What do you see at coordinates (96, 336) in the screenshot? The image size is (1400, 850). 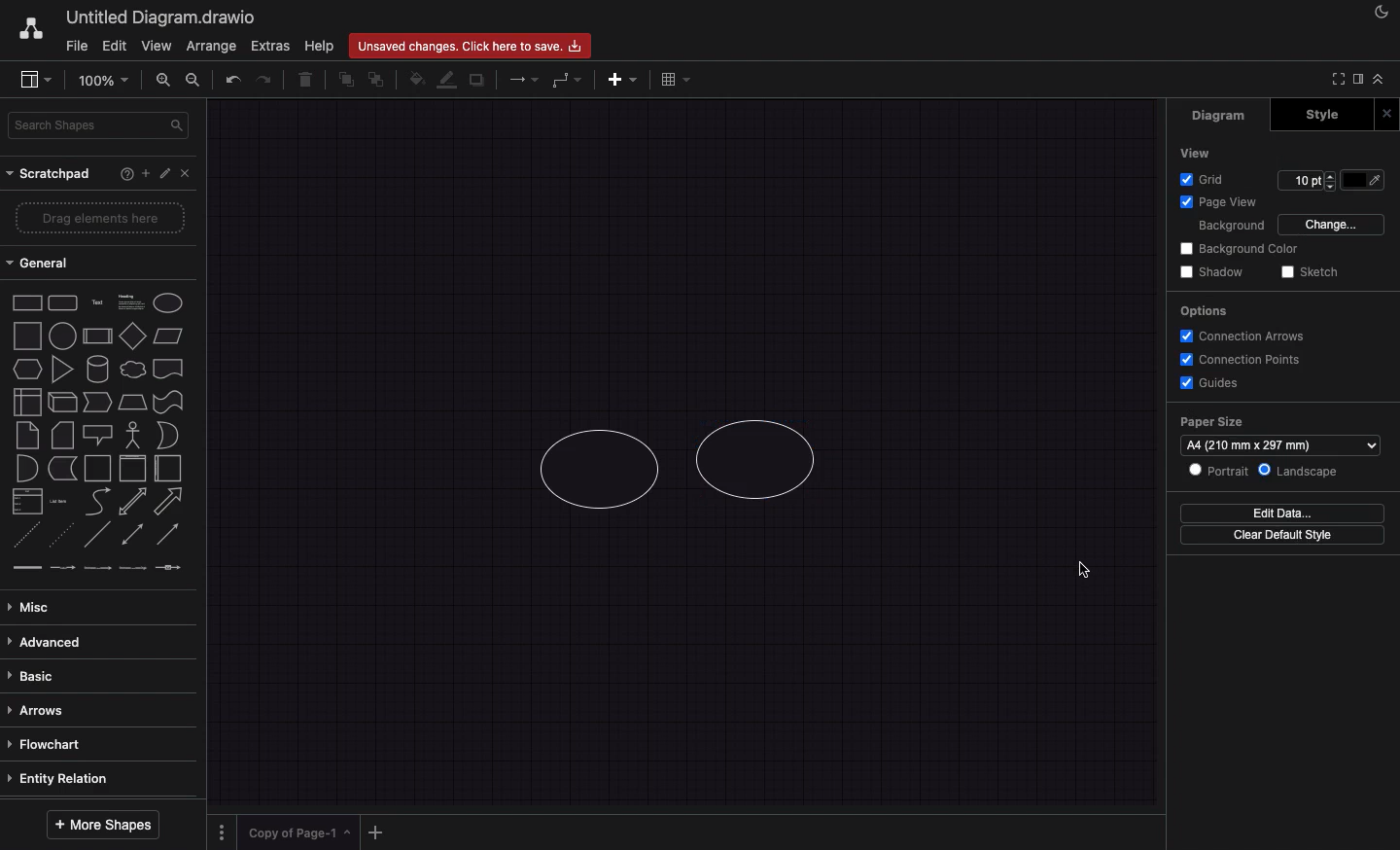 I see `process` at bounding box center [96, 336].